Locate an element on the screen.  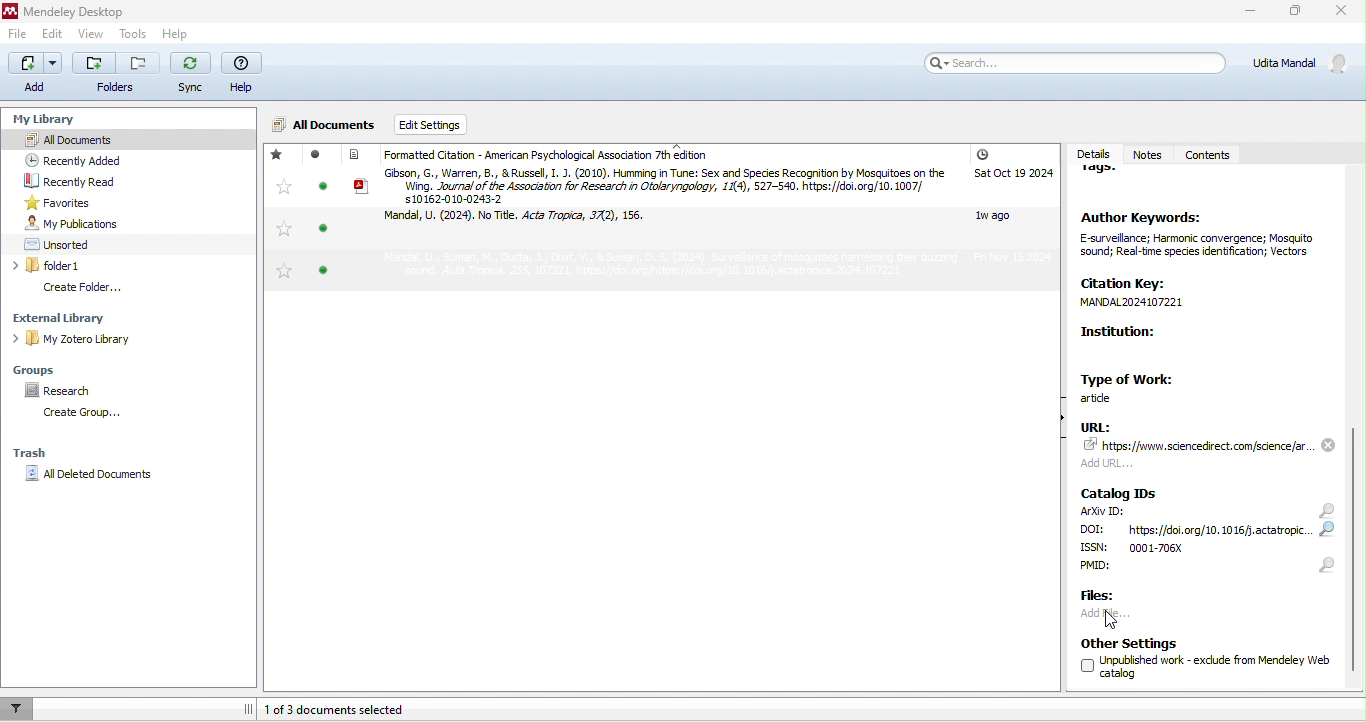
article by Mandal et al, 2024 is located at coordinates (525, 221).